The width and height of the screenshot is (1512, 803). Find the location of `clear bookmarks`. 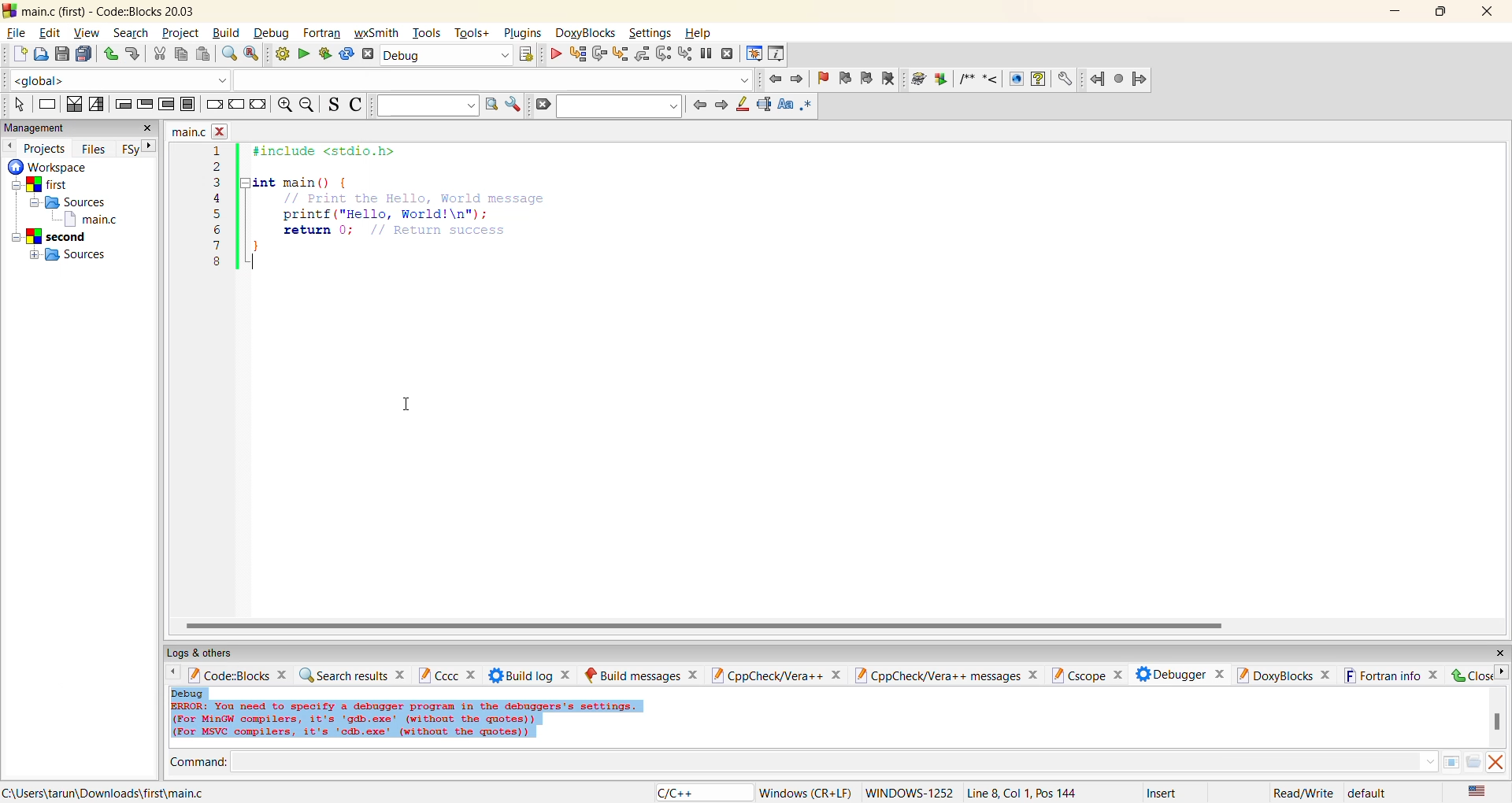

clear bookmarks is located at coordinates (891, 77).